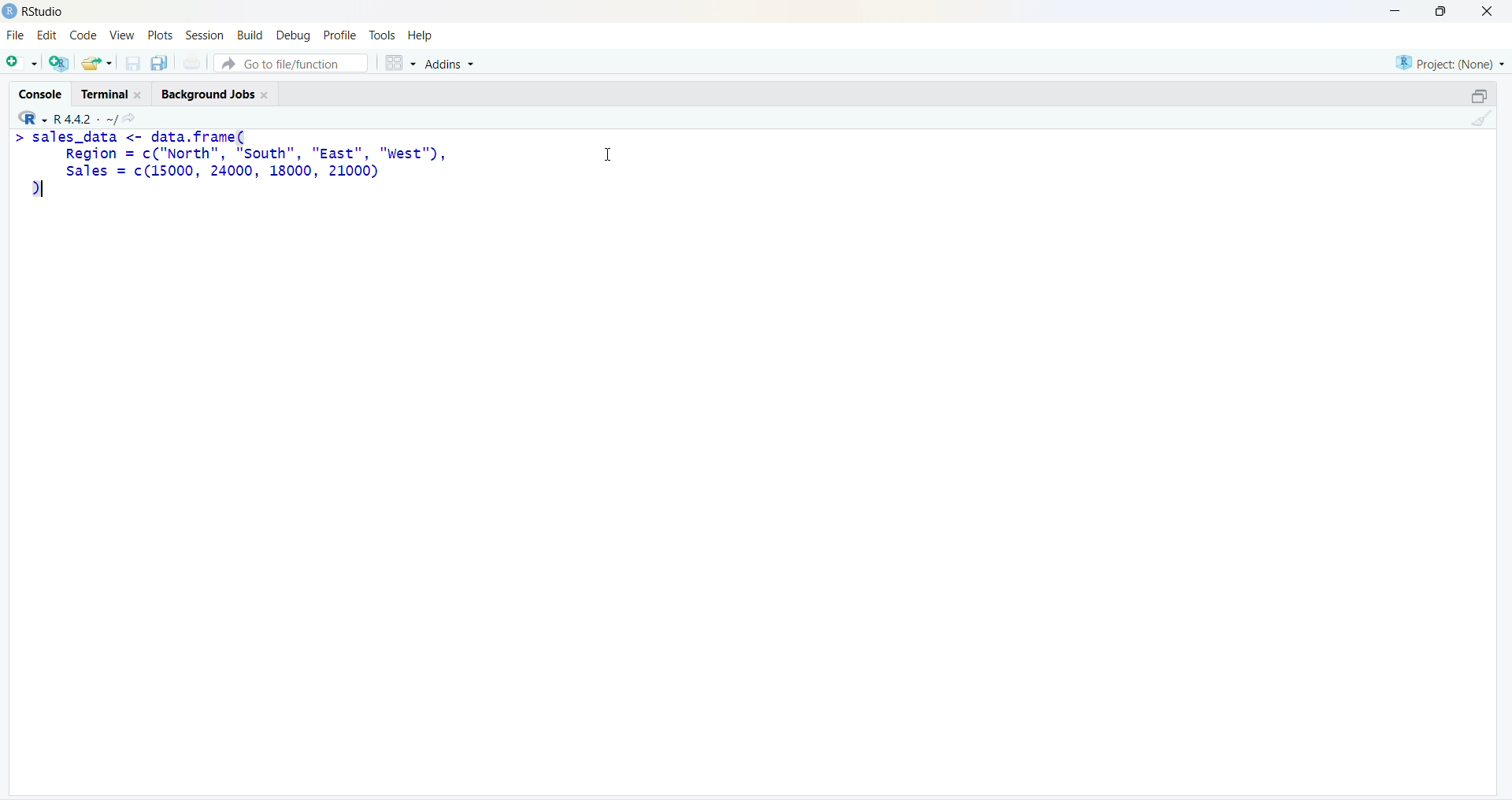 Image resolution: width=1512 pixels, height=800 pixels. I want to click on View, so click(124, 36).